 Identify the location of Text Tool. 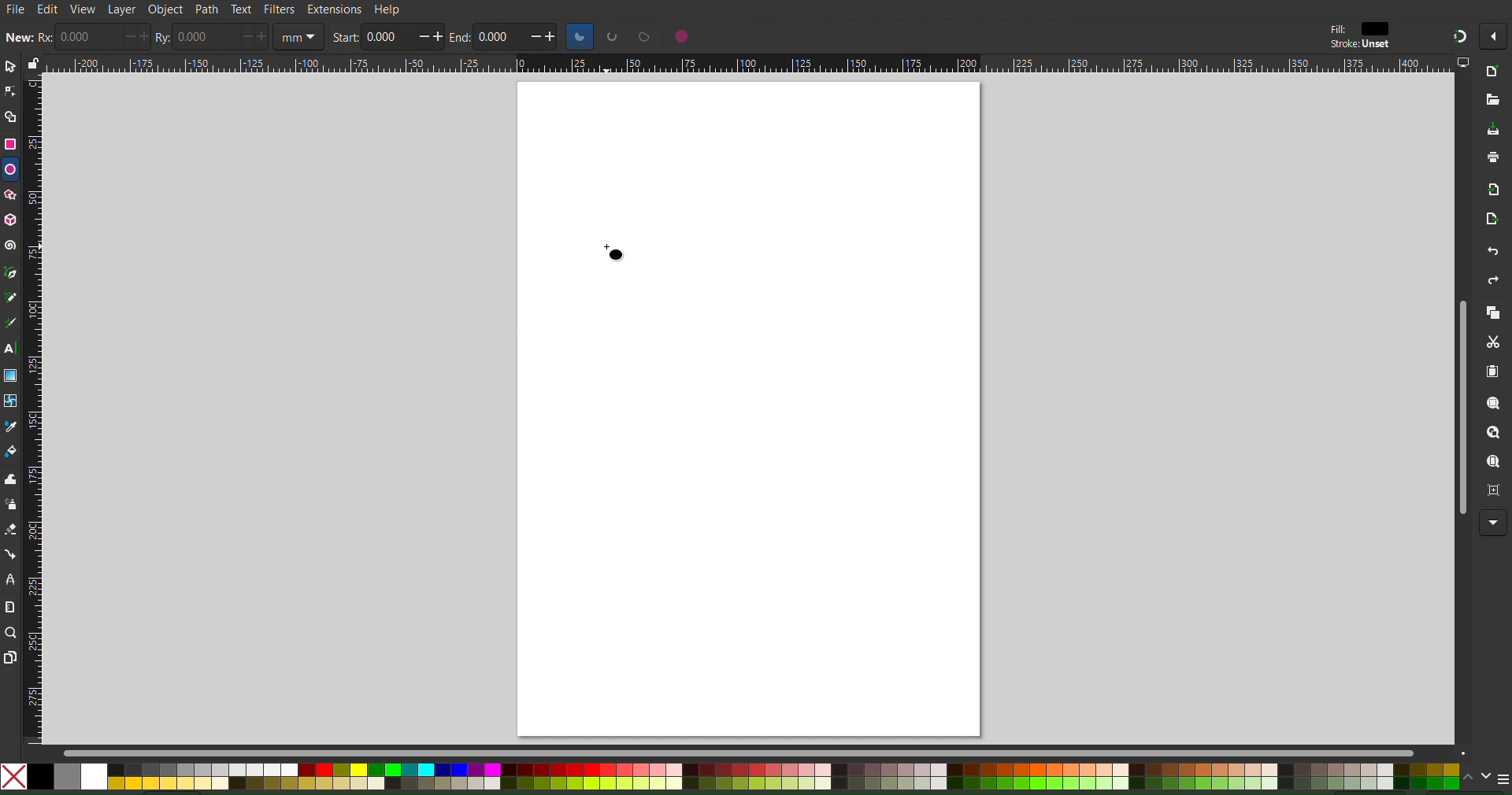
(11, 347).